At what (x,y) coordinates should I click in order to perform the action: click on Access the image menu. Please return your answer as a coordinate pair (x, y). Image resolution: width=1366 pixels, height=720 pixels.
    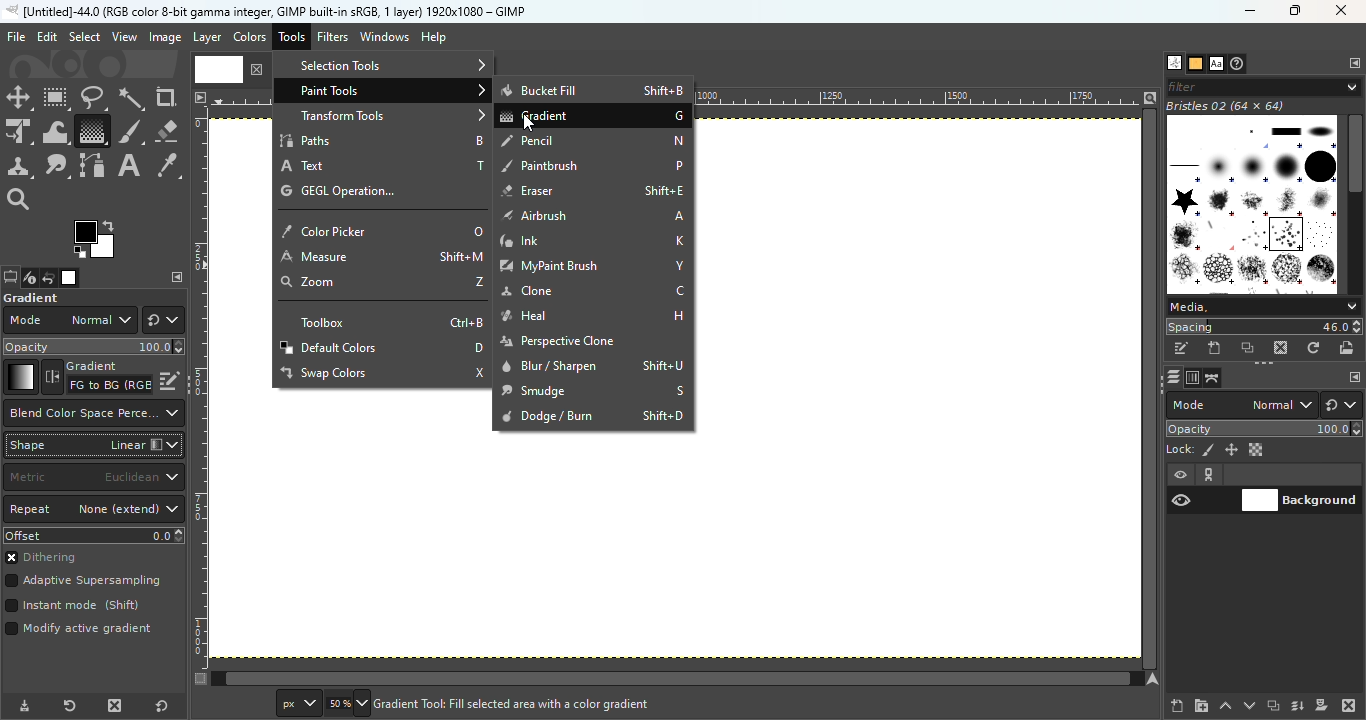
    Looking at the image, I should click on (199, 95).